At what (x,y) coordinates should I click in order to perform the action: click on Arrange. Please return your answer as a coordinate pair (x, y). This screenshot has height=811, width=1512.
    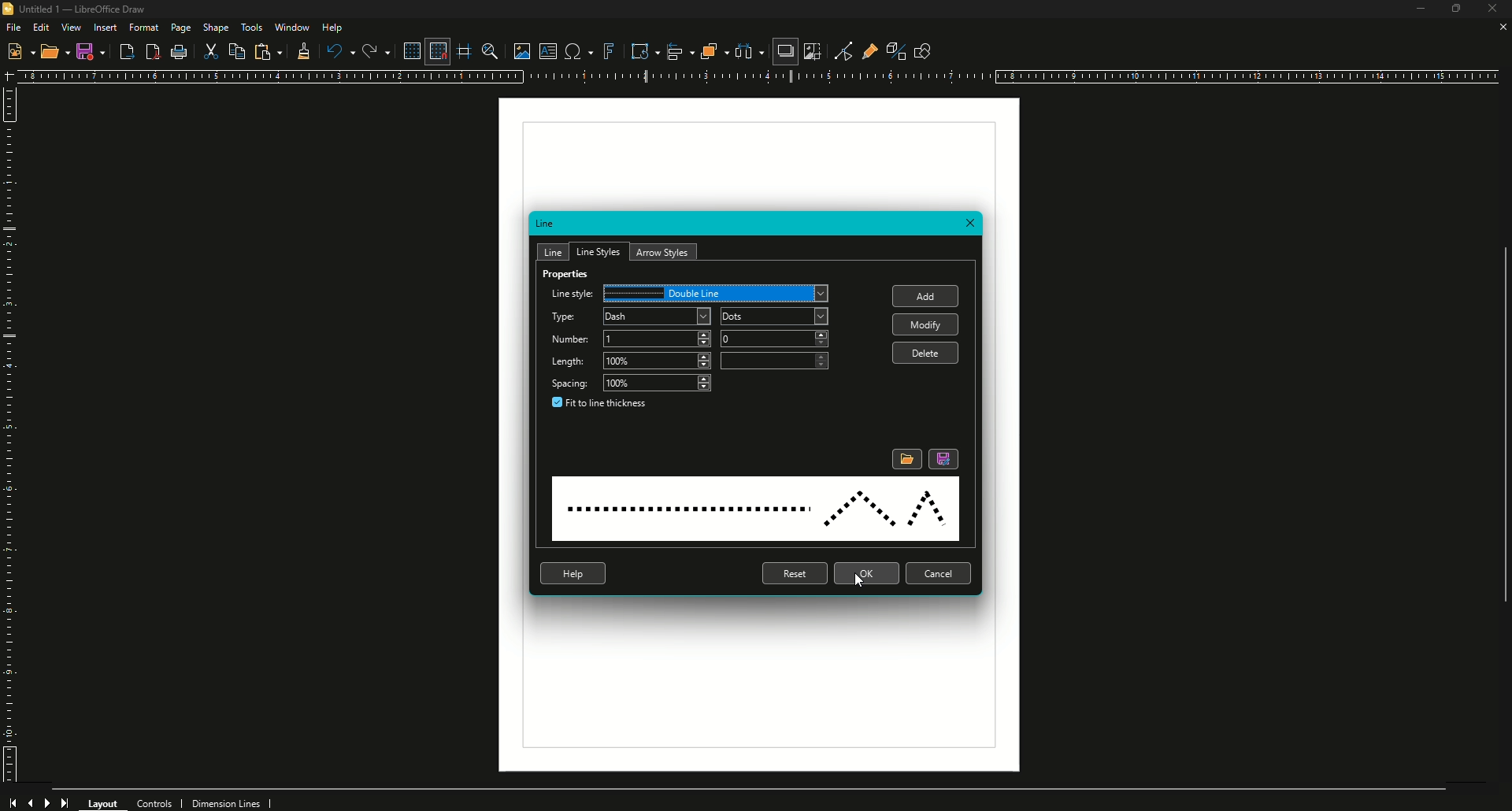
    Looking at the image, I should click on (709, 51).